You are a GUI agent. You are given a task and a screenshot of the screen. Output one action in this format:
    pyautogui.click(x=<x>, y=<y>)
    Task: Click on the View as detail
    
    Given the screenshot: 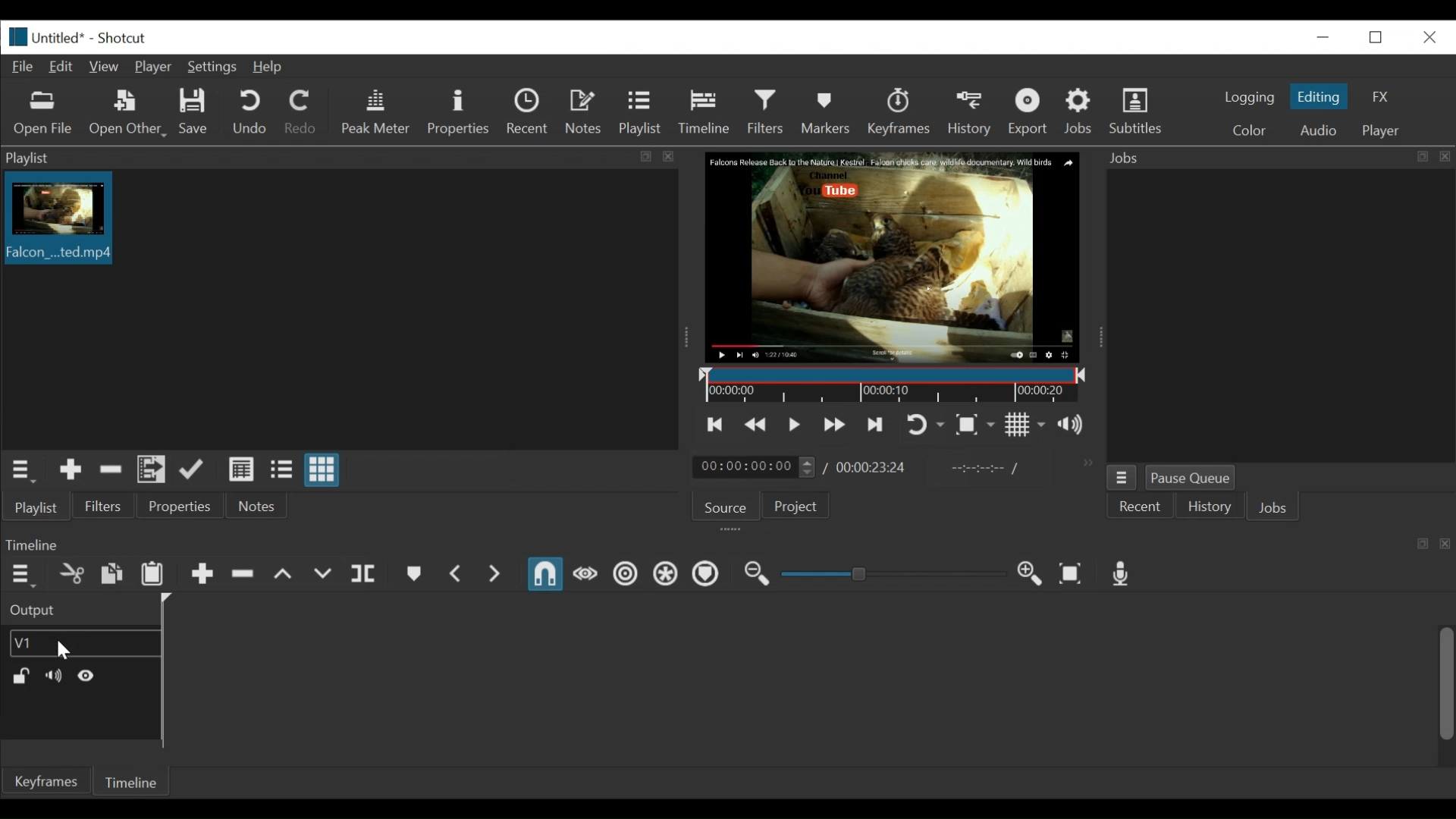 What is the action you would take?
    pyautogui.click(x=240, y=472)
    